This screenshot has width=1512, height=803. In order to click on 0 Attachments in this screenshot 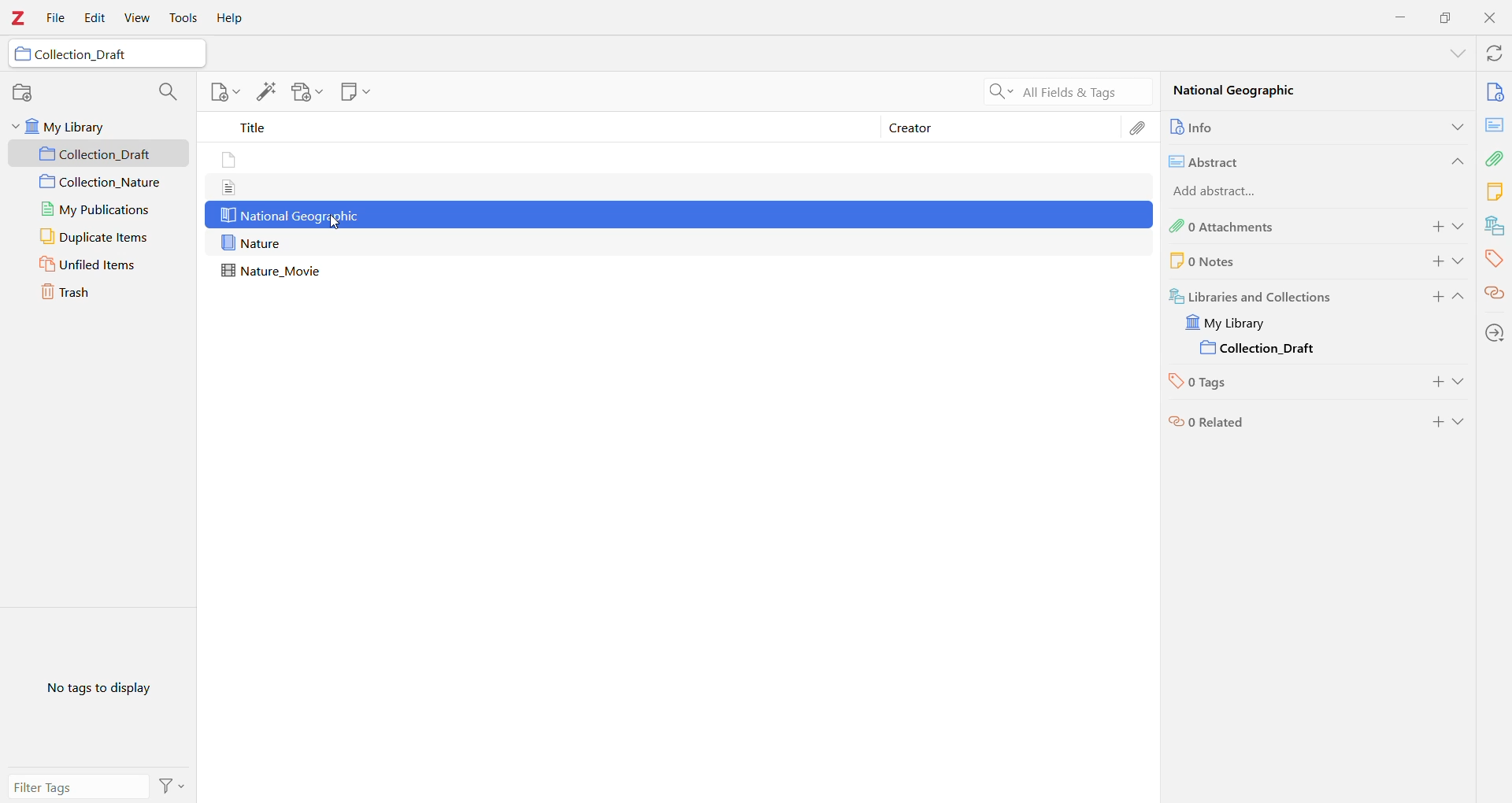, I will do `click(1280, 227)`.